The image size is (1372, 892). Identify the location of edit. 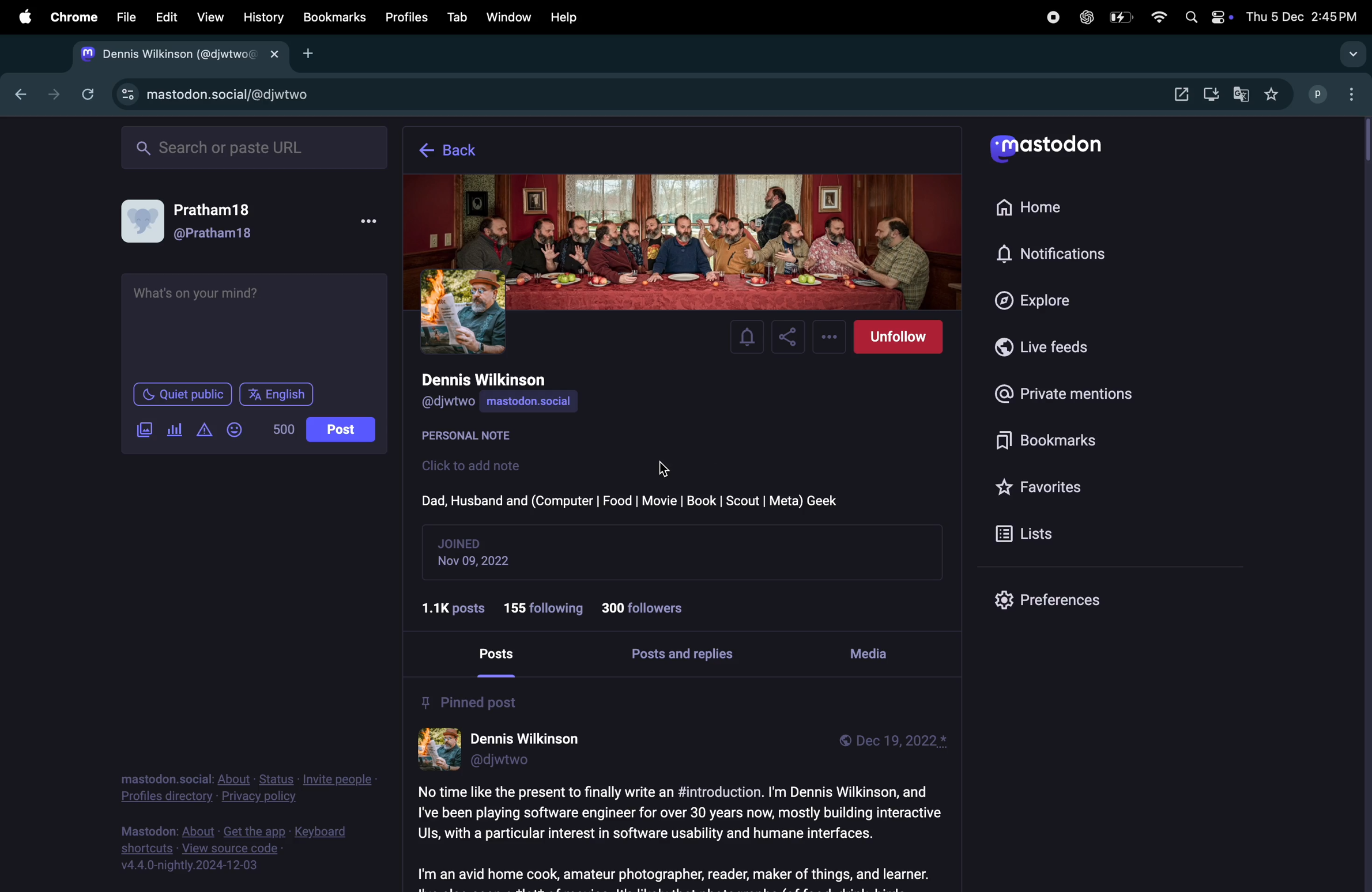
(168, 18).